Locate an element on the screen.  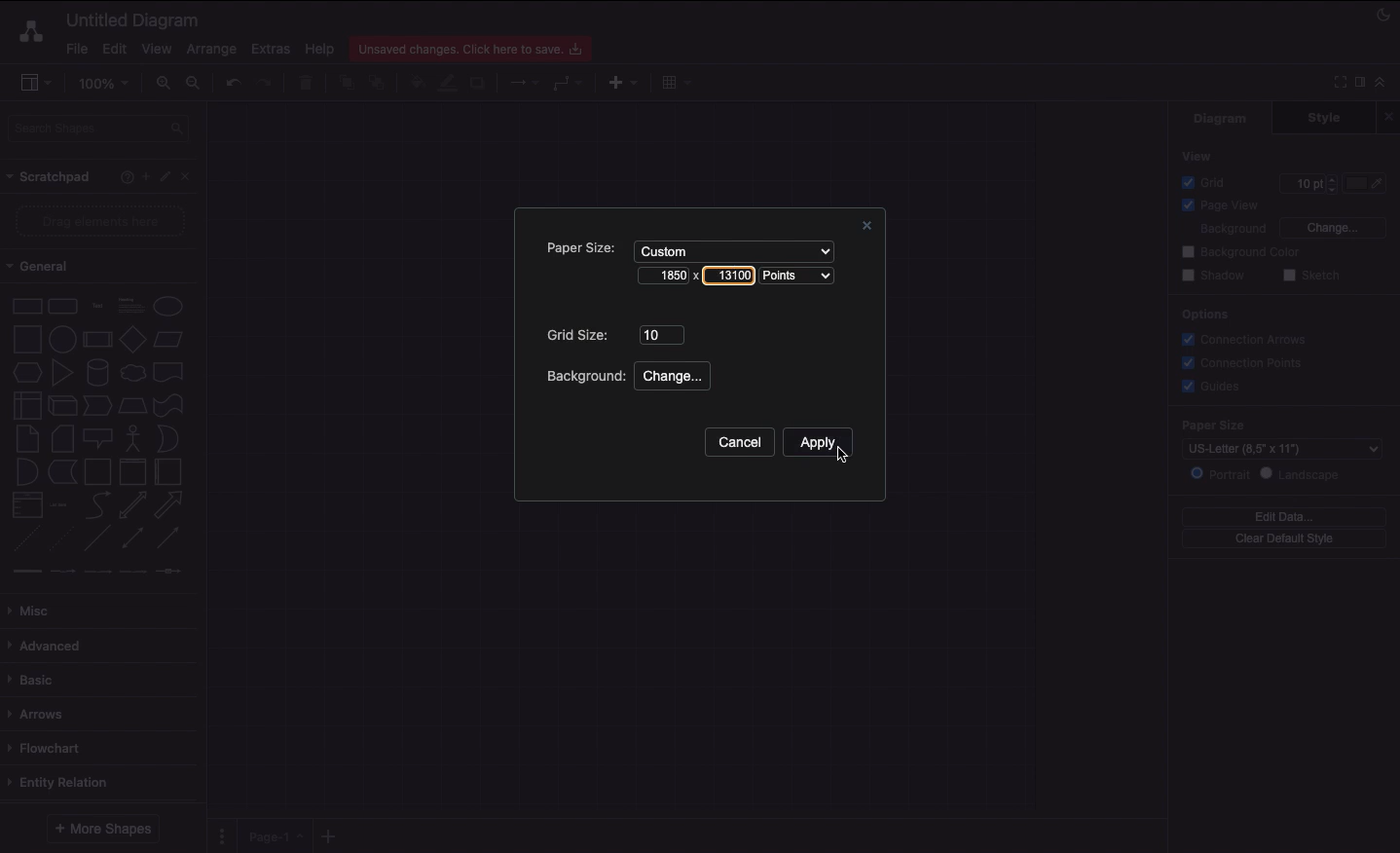
US-Letter (8.5" x 11") is located at coordinates (1276, 449).